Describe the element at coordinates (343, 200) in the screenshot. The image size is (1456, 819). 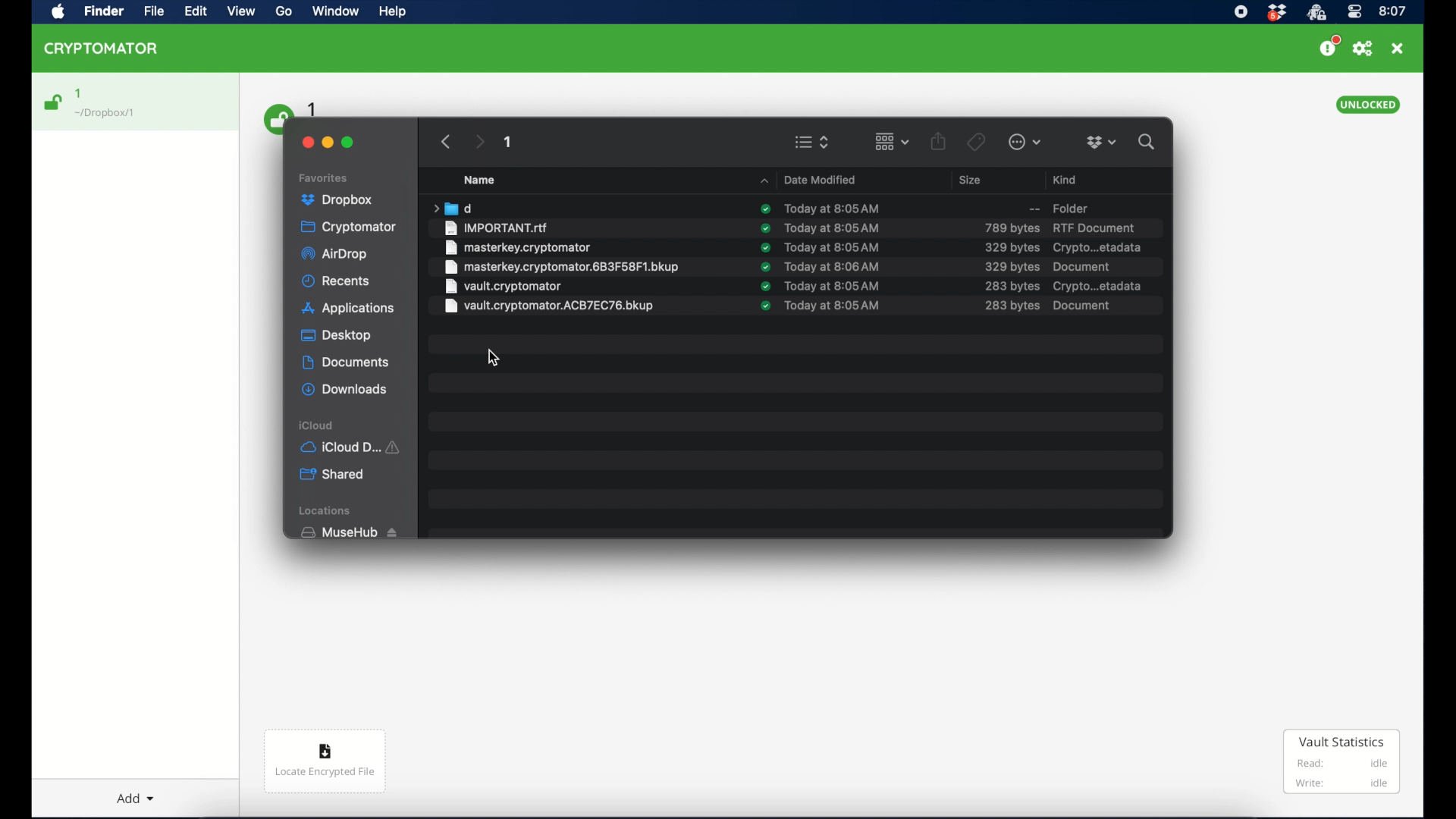
I see `dropbox highlighted` at that location.